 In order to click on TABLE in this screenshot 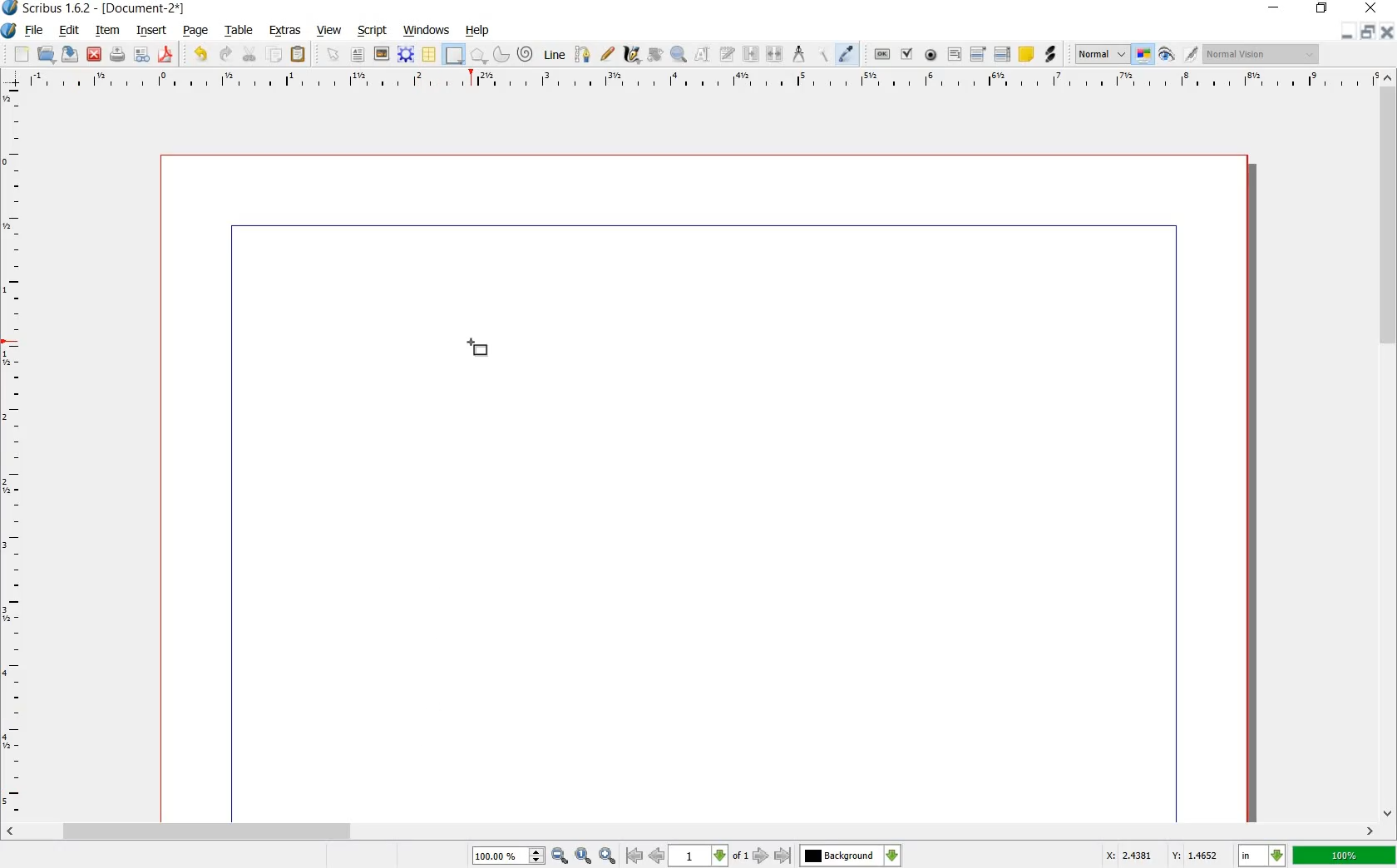, I will do `click(430, 55)`.